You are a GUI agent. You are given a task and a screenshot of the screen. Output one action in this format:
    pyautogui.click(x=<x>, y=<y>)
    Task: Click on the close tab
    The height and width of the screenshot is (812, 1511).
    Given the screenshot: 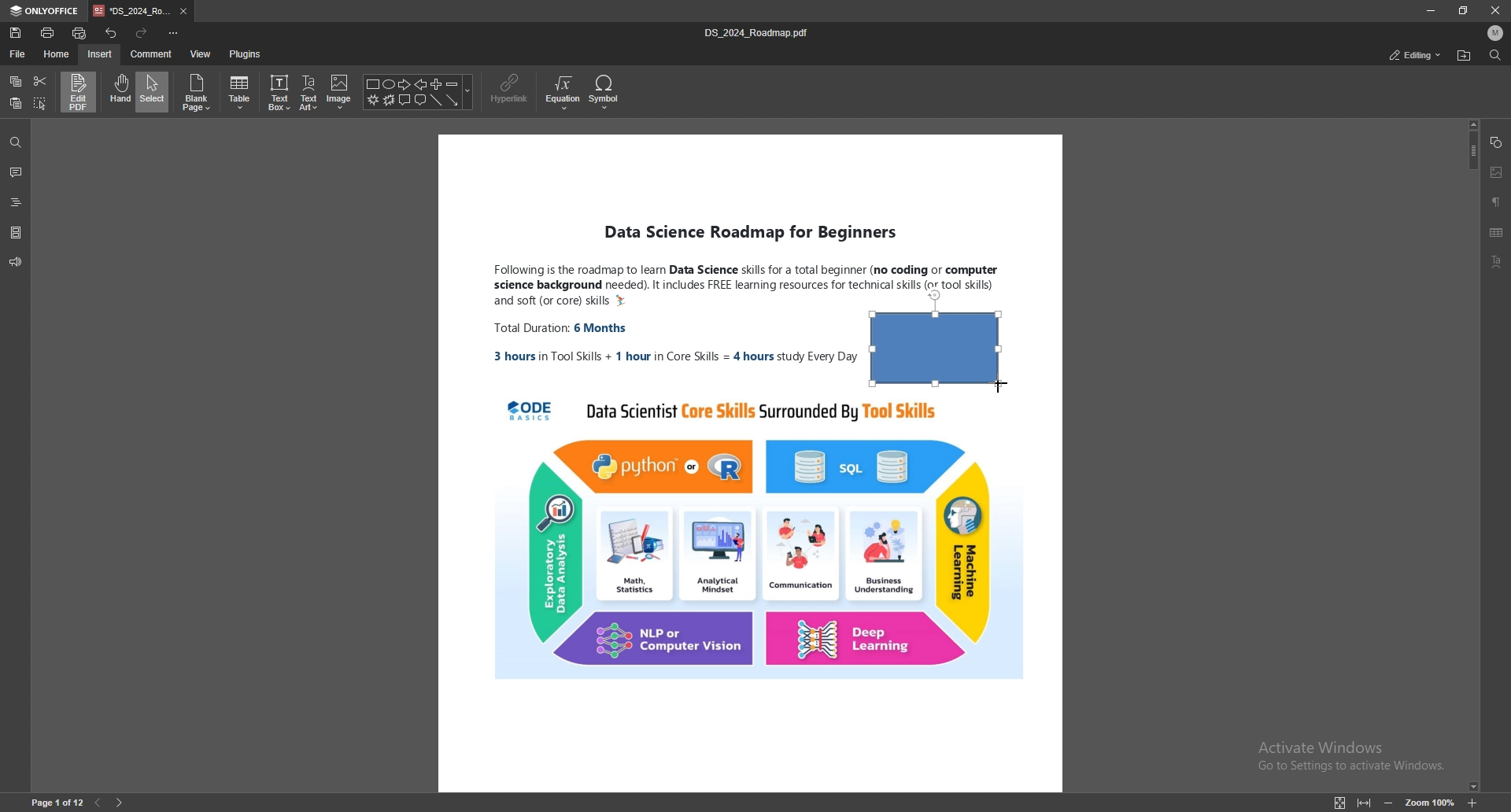 What is the action you would take?
    pyautogui.click(x=184, y=12)
    